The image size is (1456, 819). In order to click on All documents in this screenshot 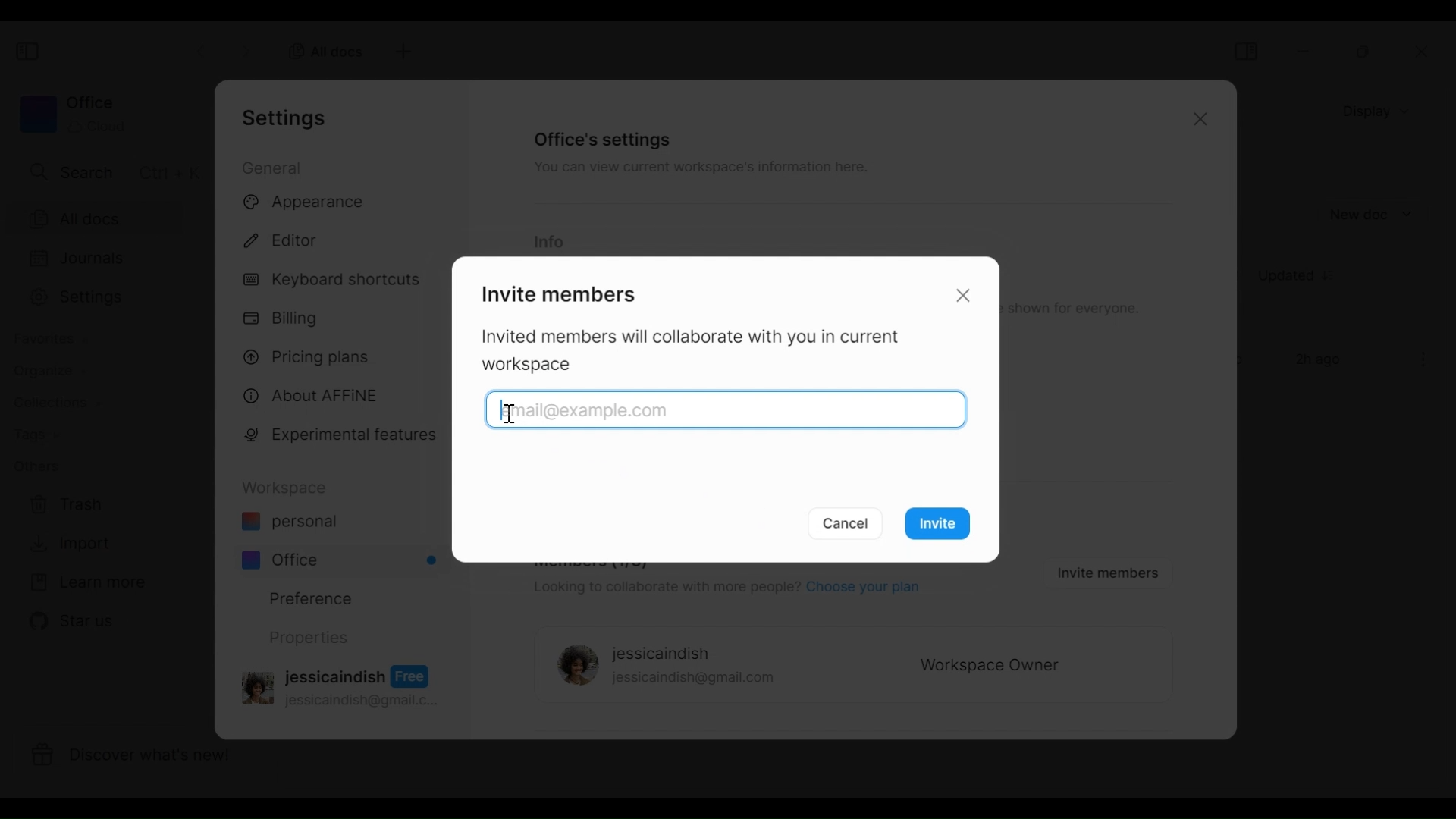, I will do `click(106, 218)`.